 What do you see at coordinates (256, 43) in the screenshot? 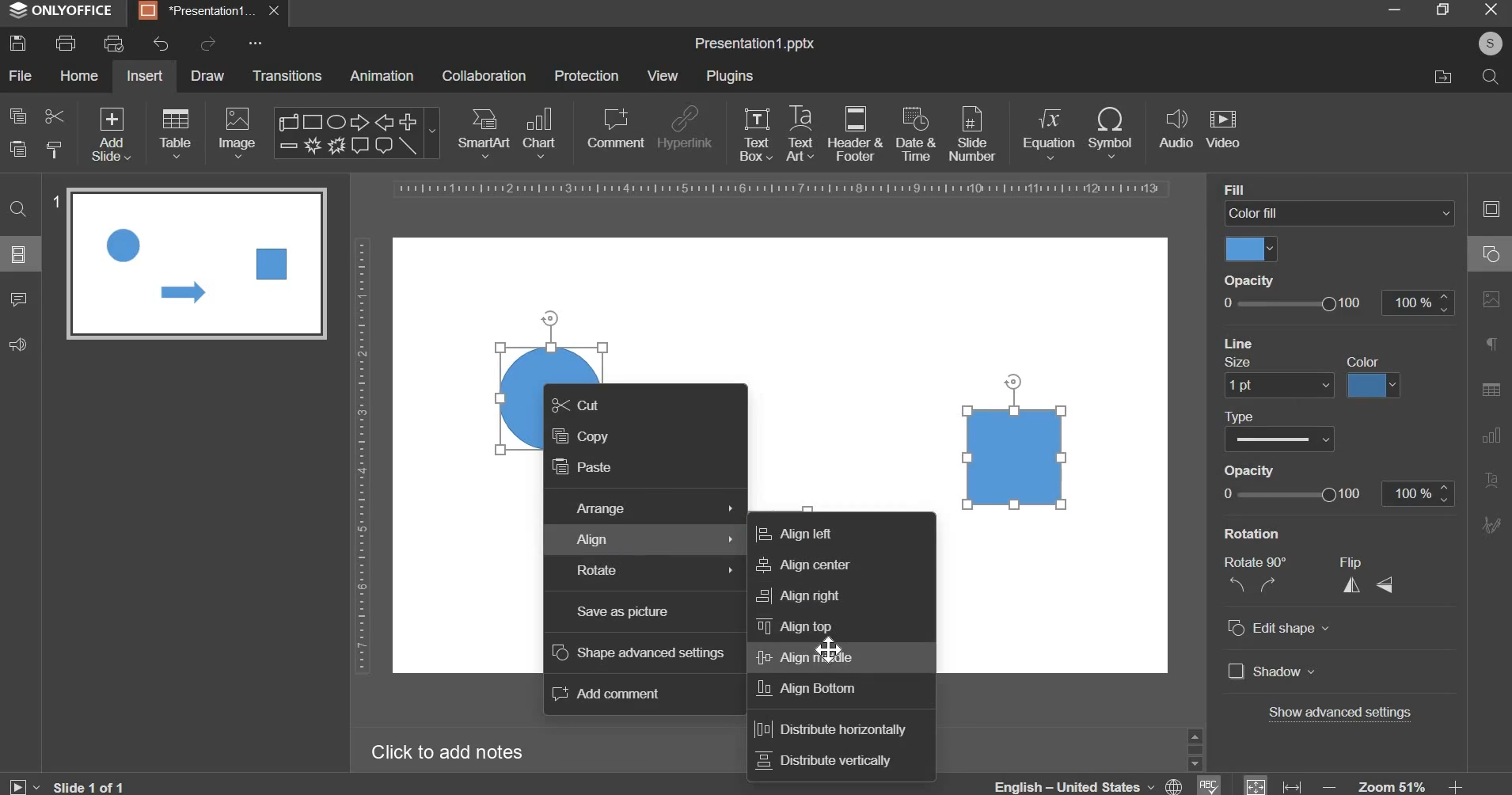
I see `options` at bounding box center [256, 43].